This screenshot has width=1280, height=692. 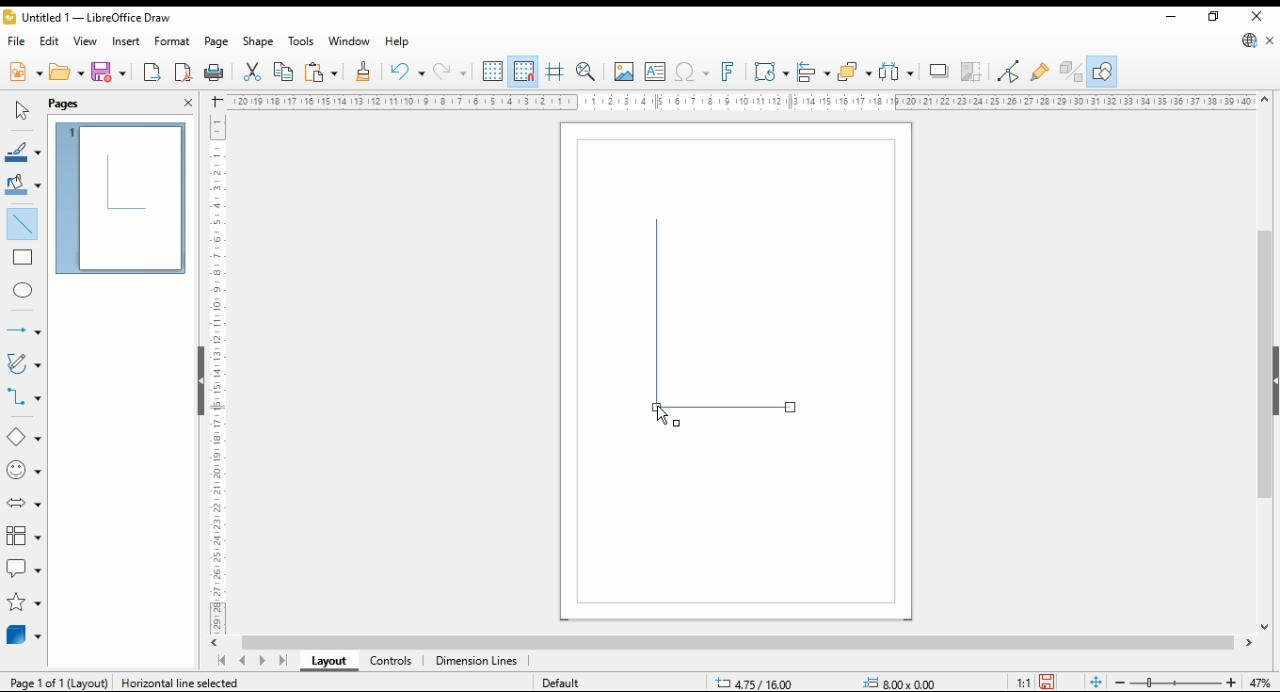 I want to click on flowchart, so click(x=24, y=537).